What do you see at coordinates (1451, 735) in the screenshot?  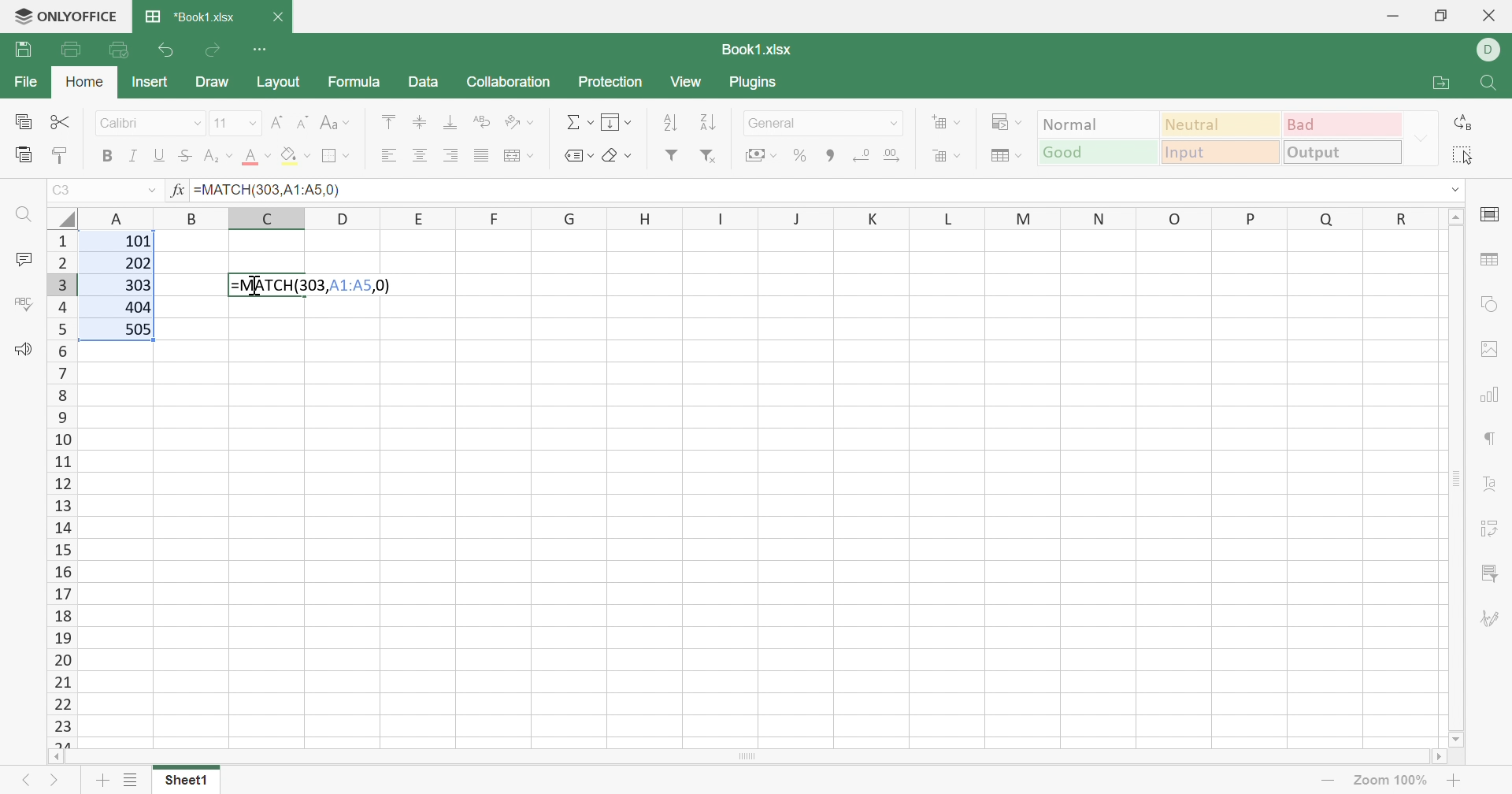 I see `Scroll Down` at bounding box center [1451, 735].